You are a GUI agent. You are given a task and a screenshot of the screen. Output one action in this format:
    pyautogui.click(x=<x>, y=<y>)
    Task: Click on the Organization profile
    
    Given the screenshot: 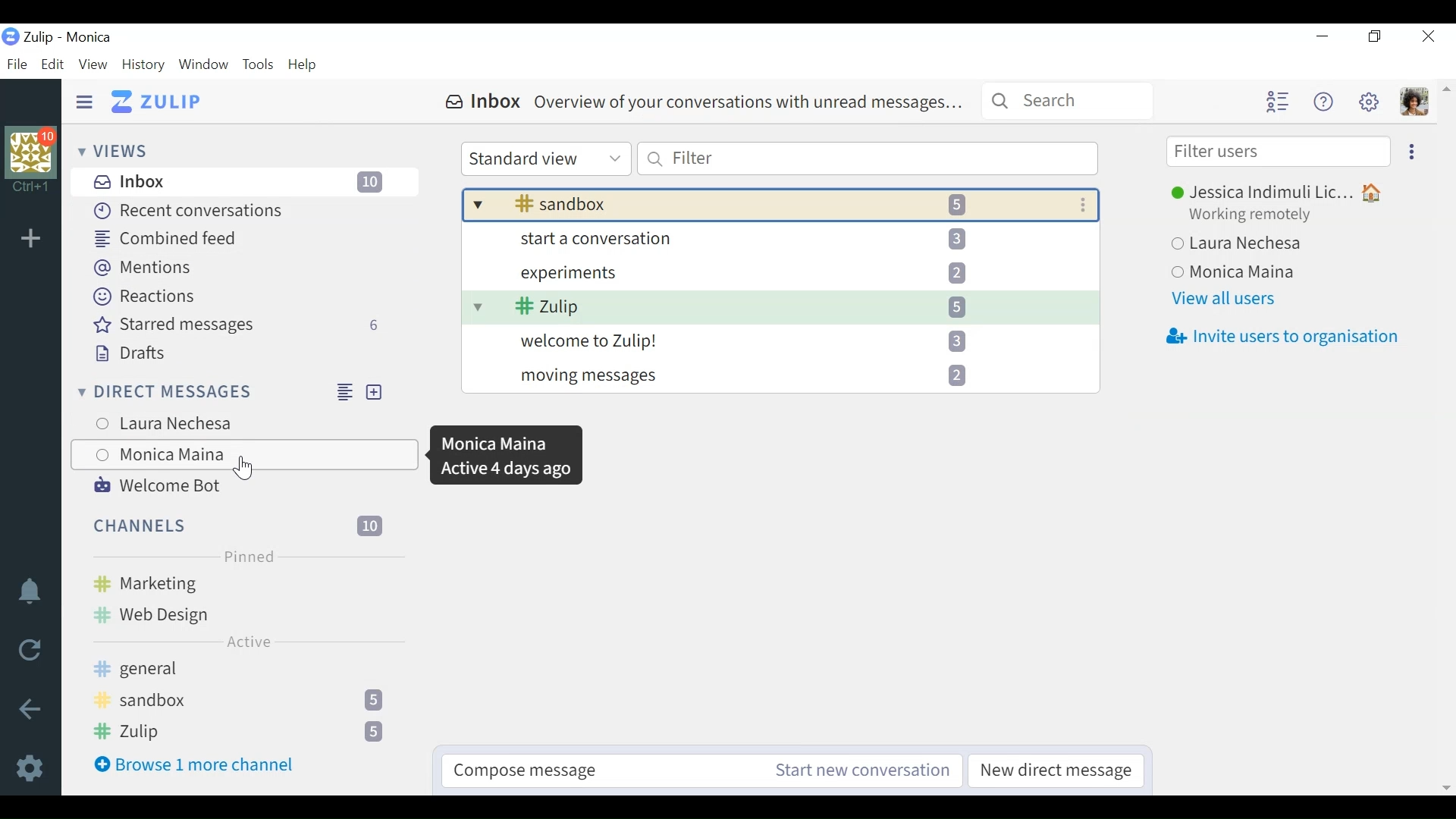 What is the action you would take?
    pyautogui.click(x=31, y=149)
    